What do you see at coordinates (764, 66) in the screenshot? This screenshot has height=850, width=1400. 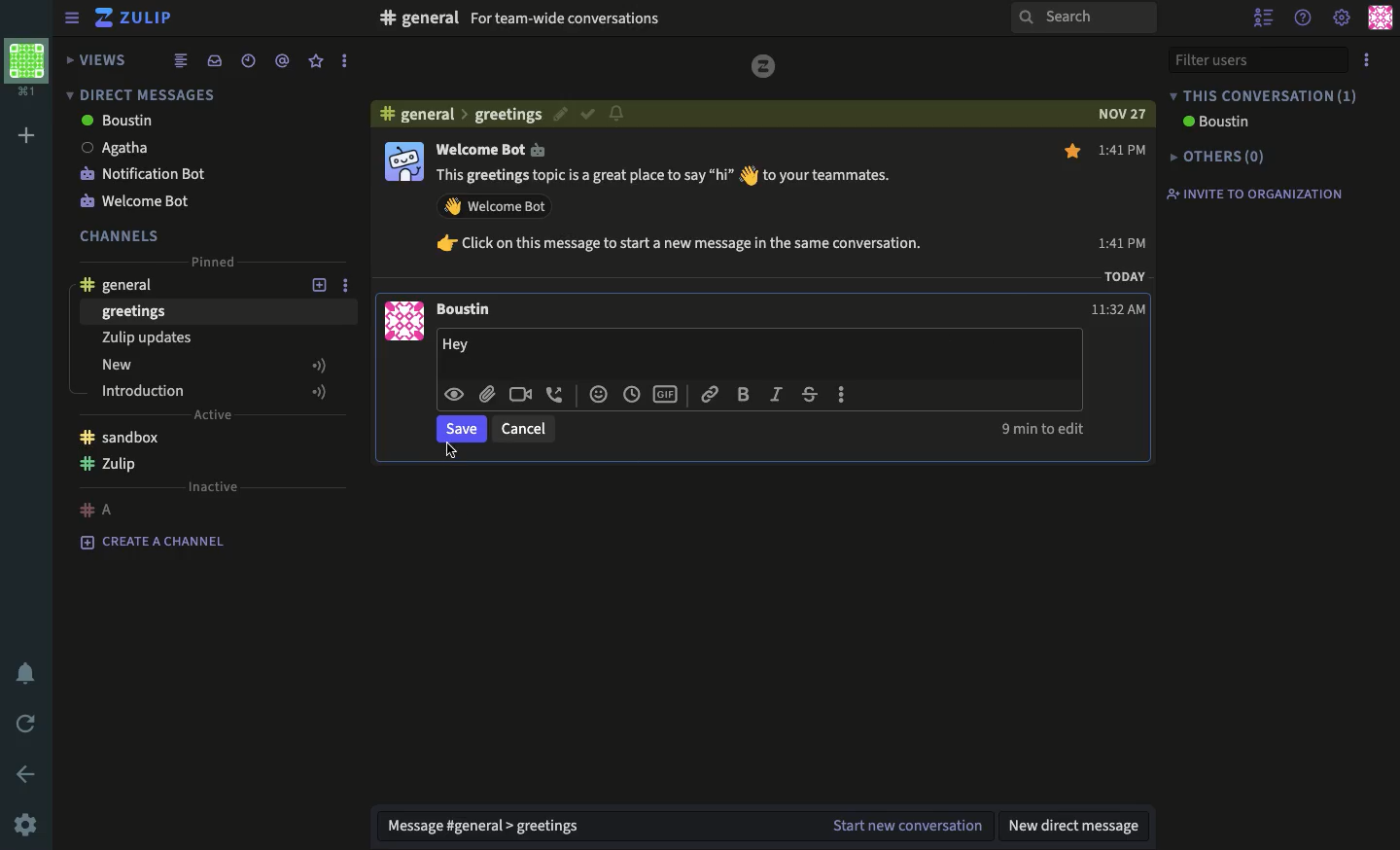 I see `Zulip` at bounding box center [764, 66].